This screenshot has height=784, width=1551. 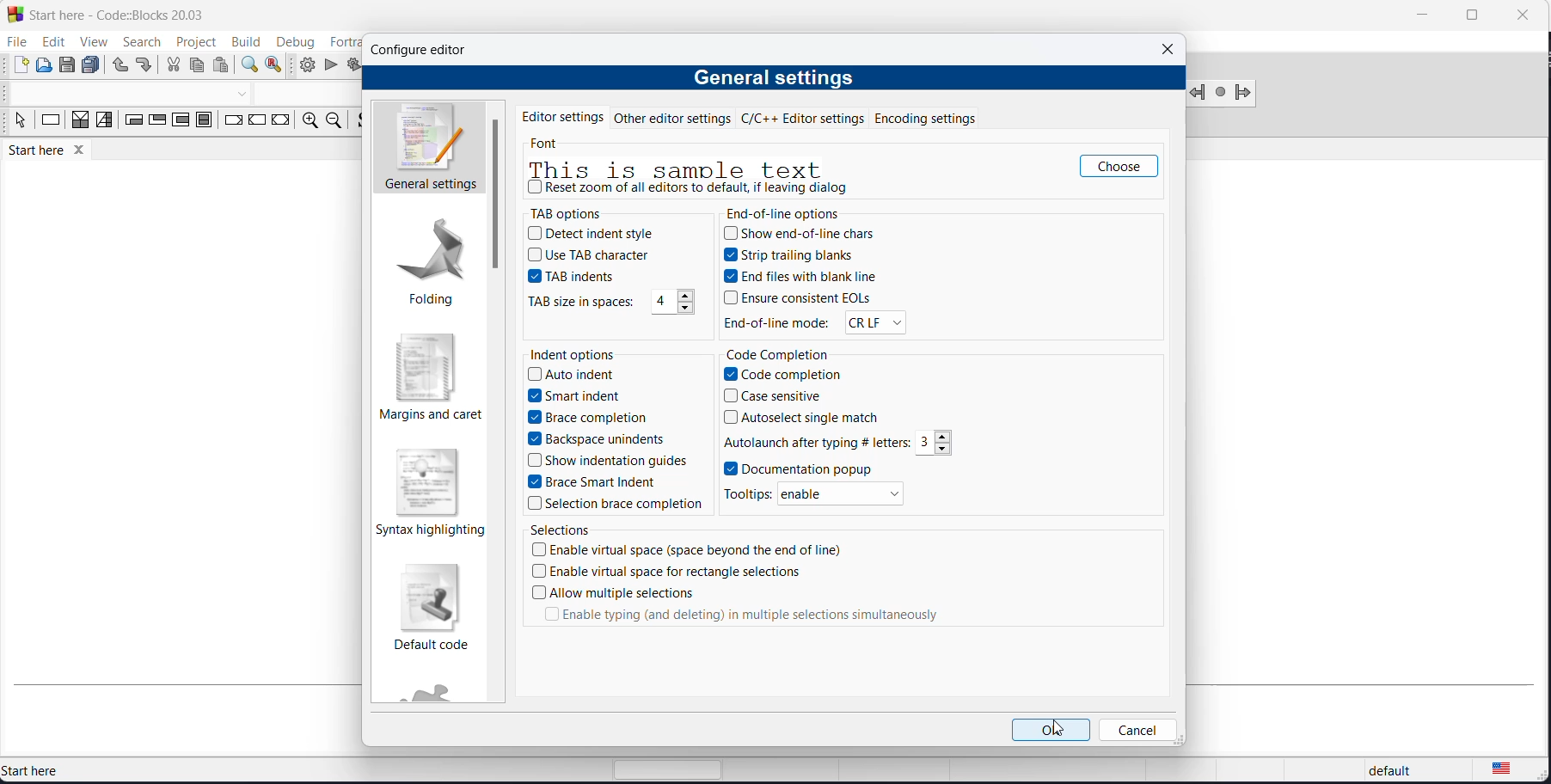 I want to click on autolaunch value, so click(x=926, y=444).